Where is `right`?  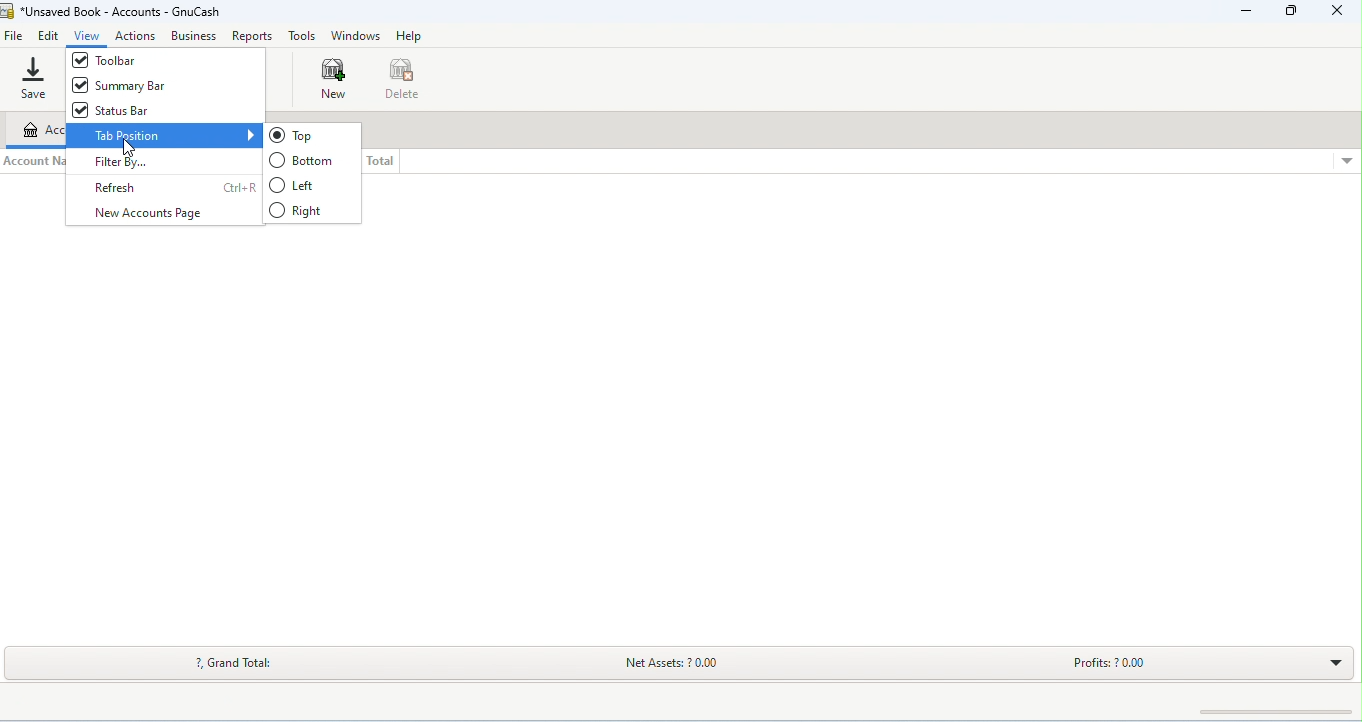
right is located at coordinates (312, 212).